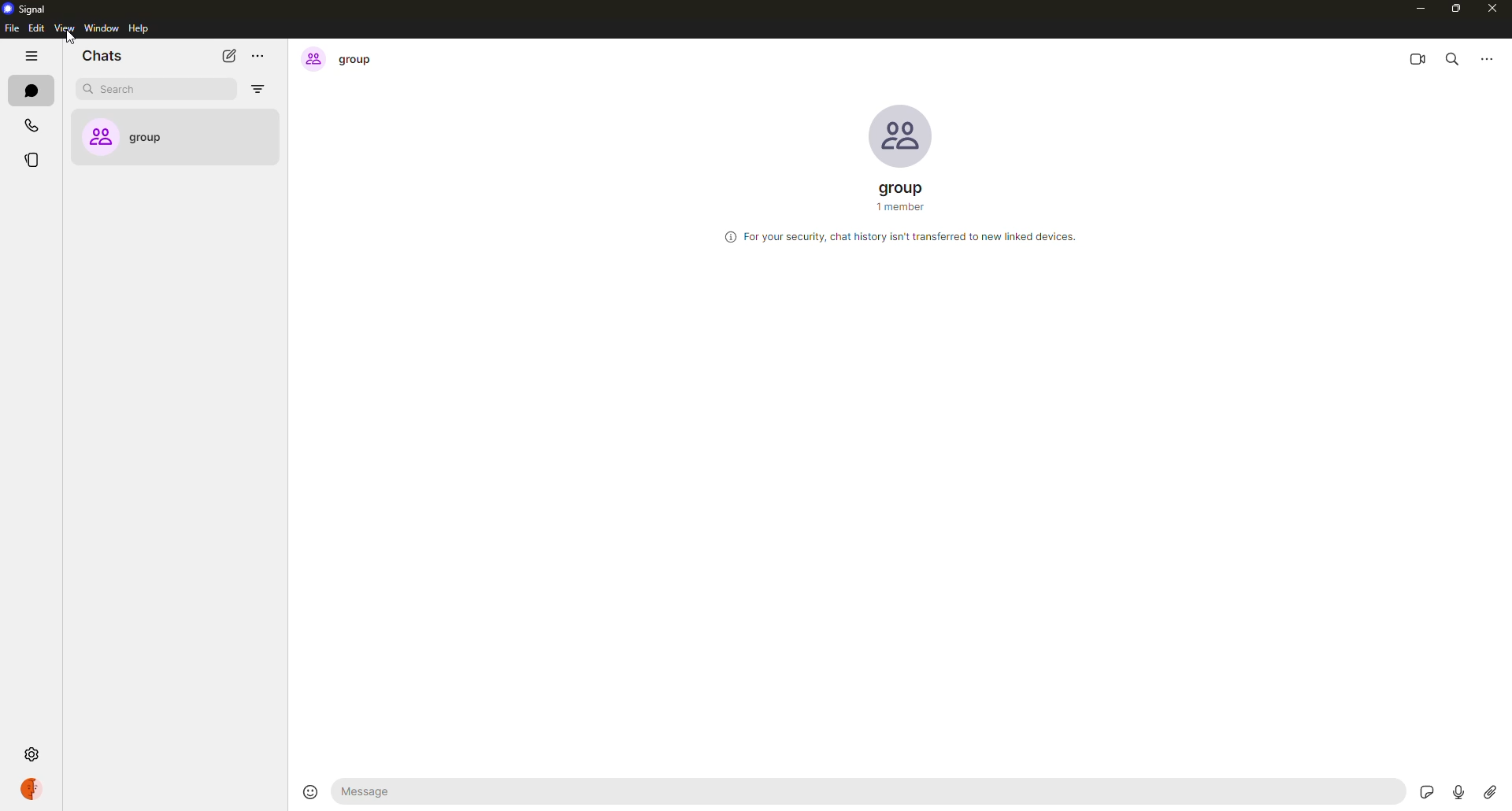  What do you see at coordinates (167, 137) in the screenshot?
I see `group` at bounding box center [167, 137].